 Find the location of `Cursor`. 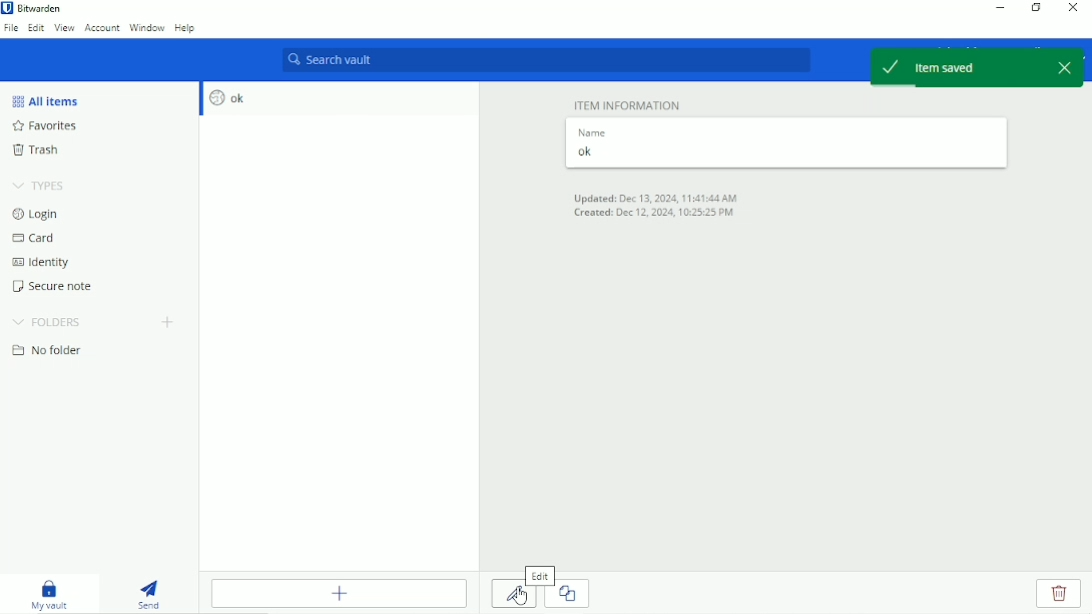

Cursor is located at coordinates (520, 598).